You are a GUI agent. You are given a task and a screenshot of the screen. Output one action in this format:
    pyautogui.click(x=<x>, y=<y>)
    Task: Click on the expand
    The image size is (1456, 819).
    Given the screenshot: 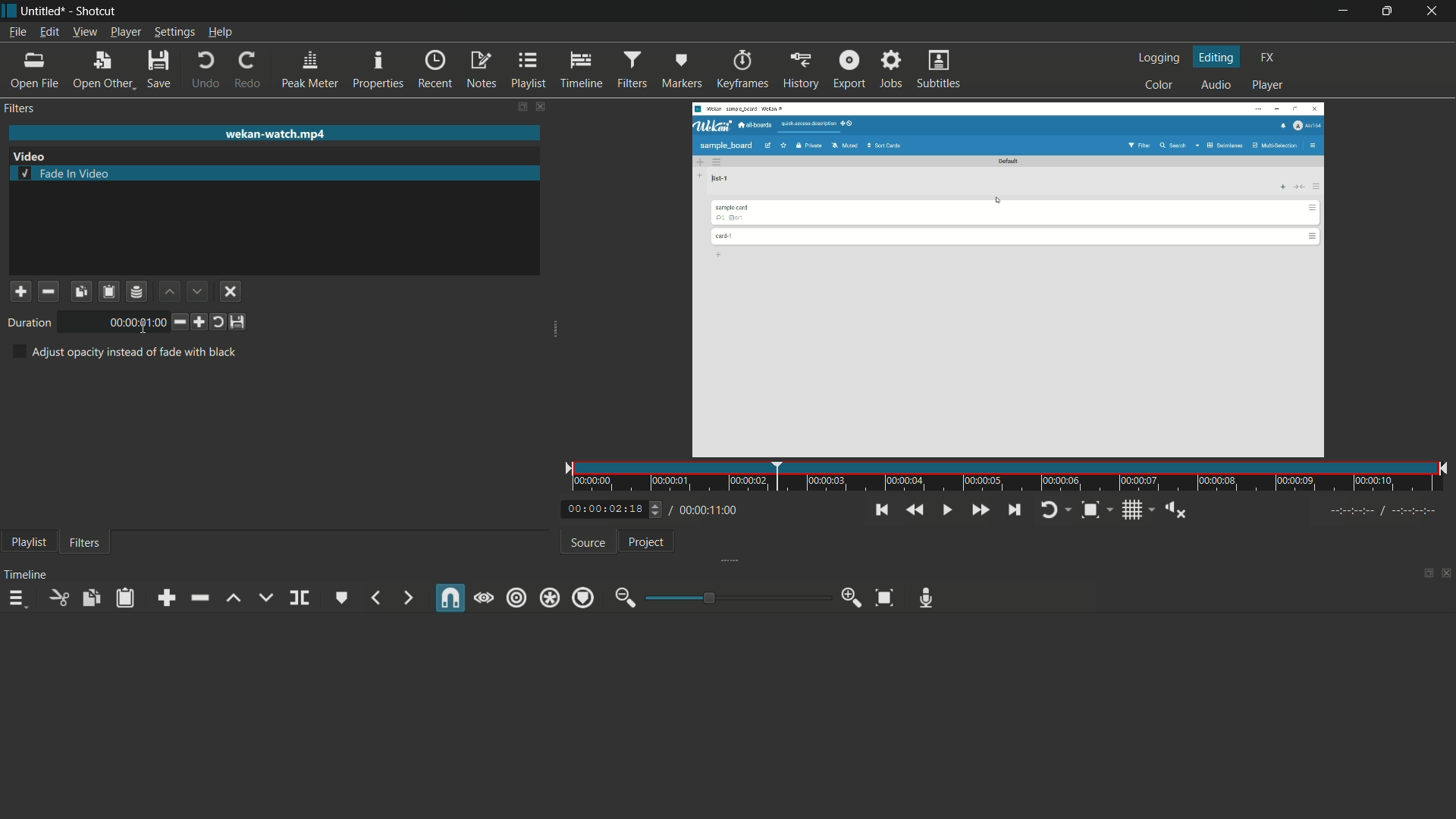 What is the action you would take?
    pyautogui.click(x=736, y=559)
    